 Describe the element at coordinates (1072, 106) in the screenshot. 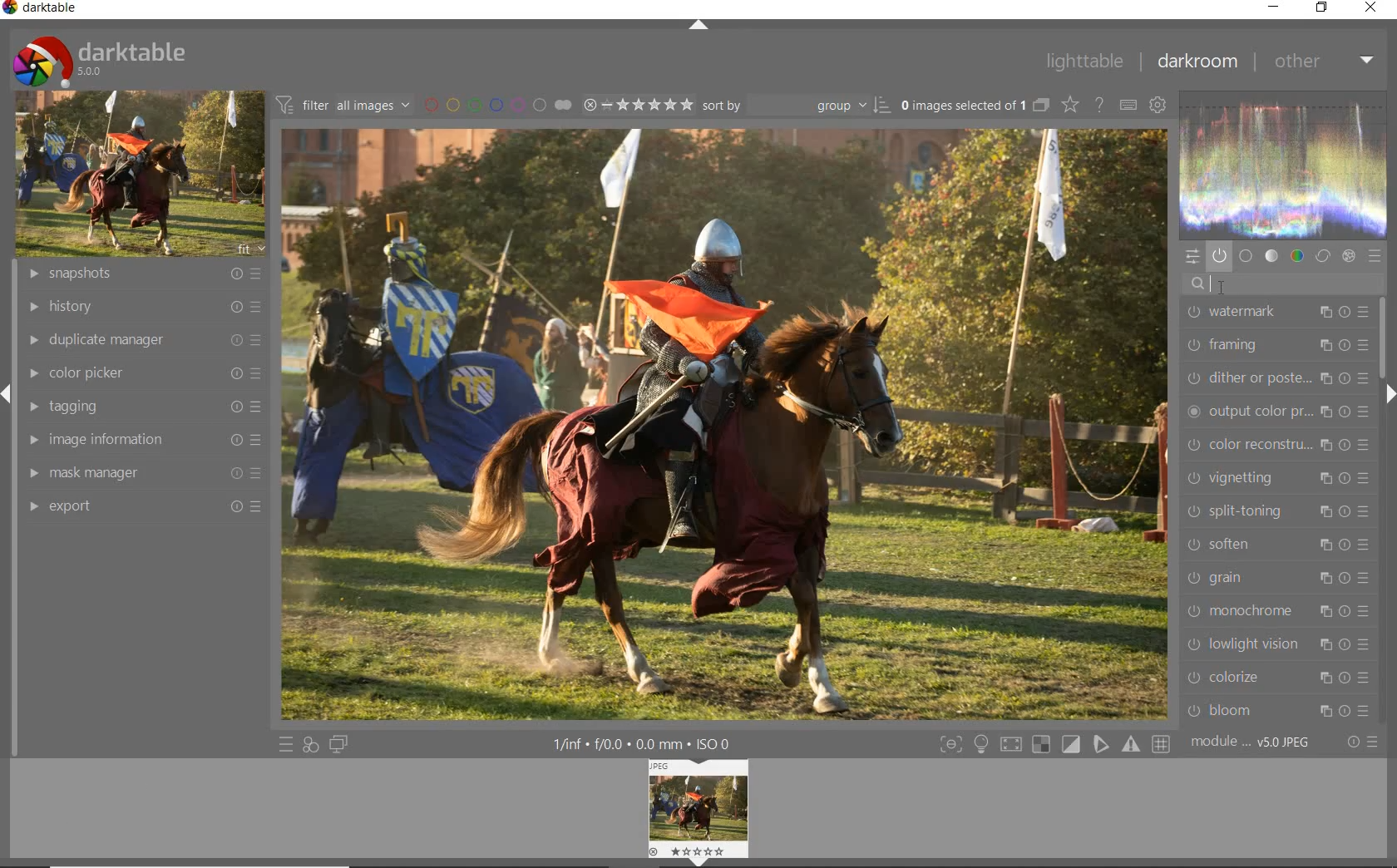

I see `change type of overlays` at that location.